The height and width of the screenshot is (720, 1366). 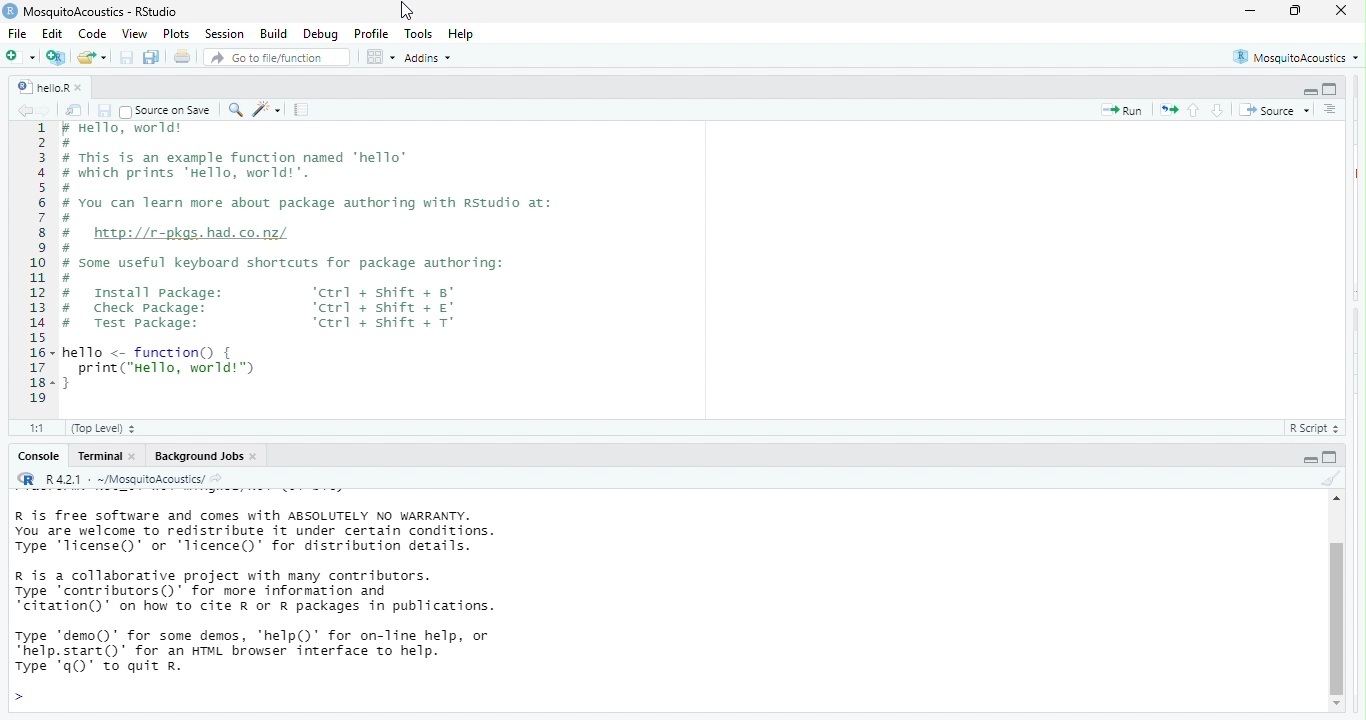 I want to click on hide r script, so click(x=1305, y=461).